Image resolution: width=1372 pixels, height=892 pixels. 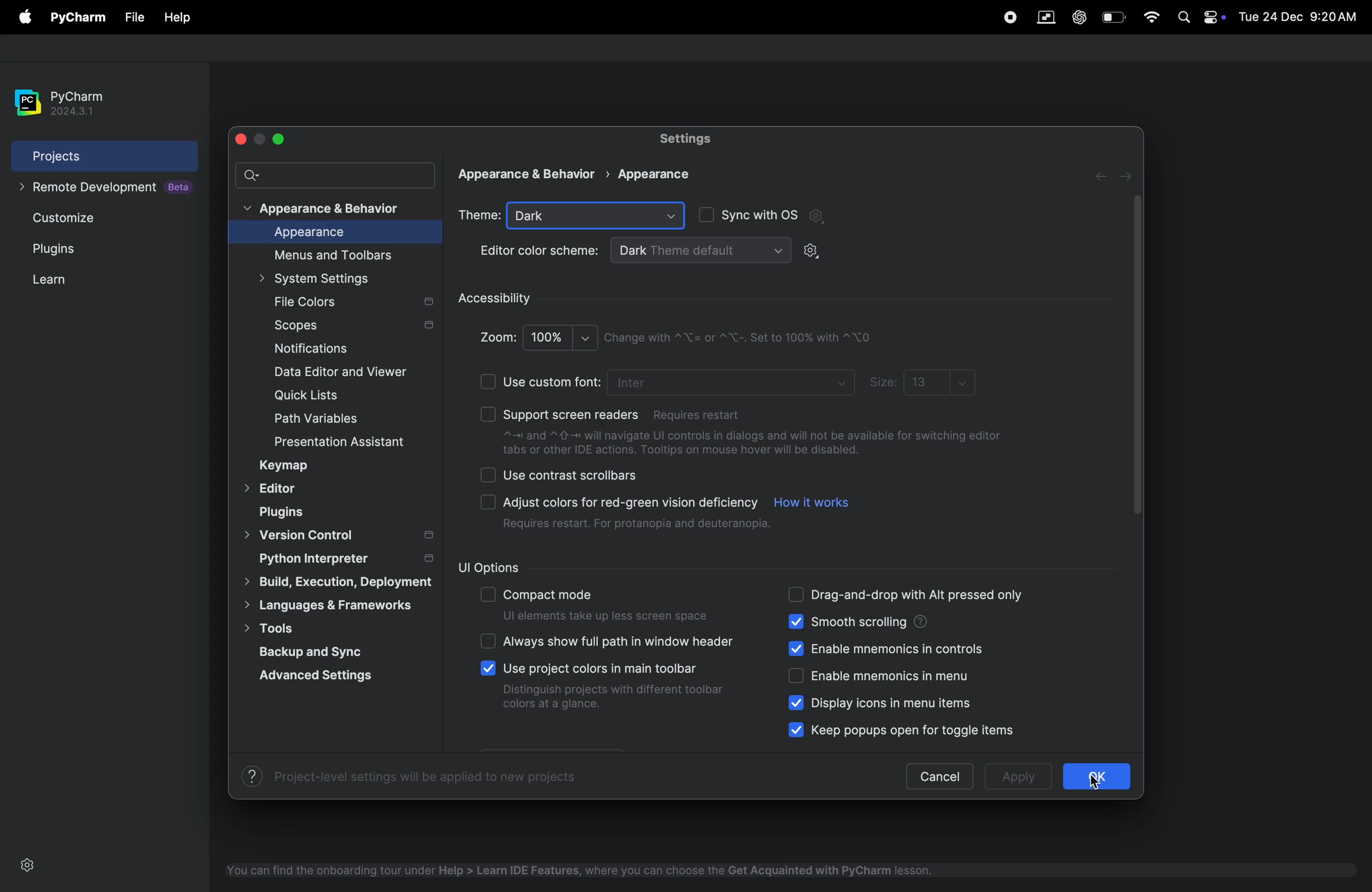 I want to click on file colors, so click(x=351, y=303).